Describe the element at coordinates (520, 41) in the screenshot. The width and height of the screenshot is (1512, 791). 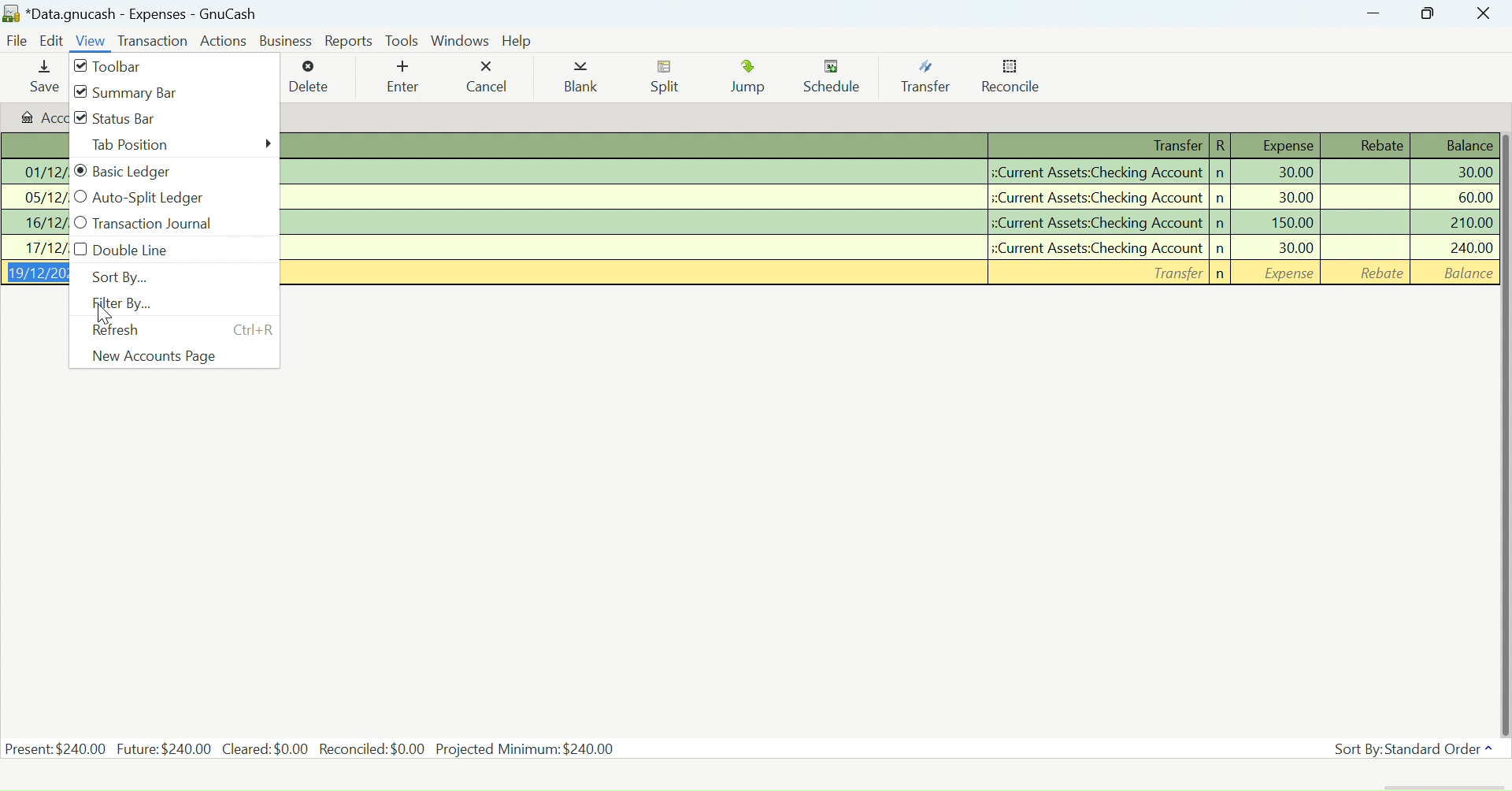
I see `Help` at that location.